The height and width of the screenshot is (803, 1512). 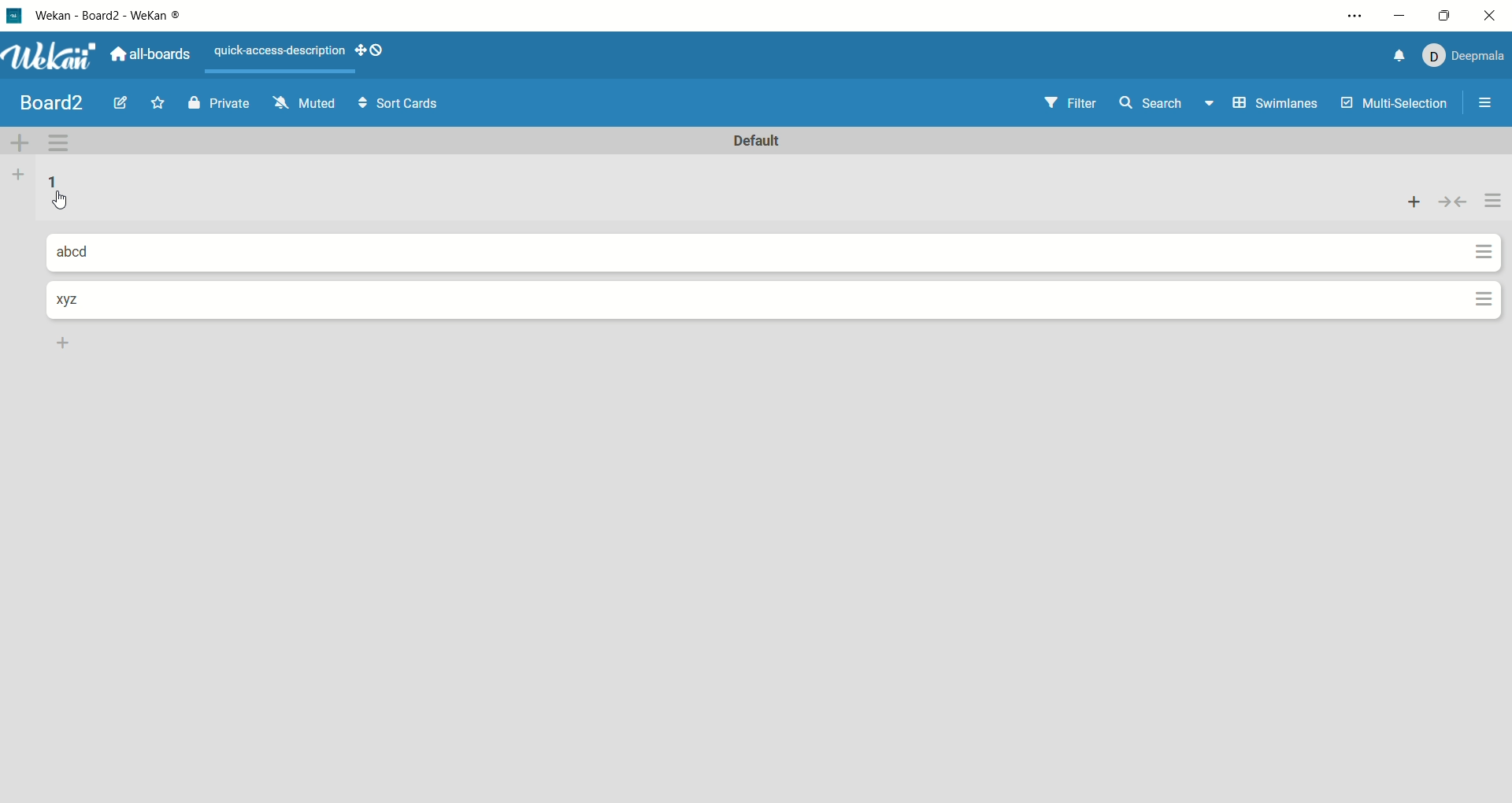 I want to click on muted, so click(x=301, y=102).